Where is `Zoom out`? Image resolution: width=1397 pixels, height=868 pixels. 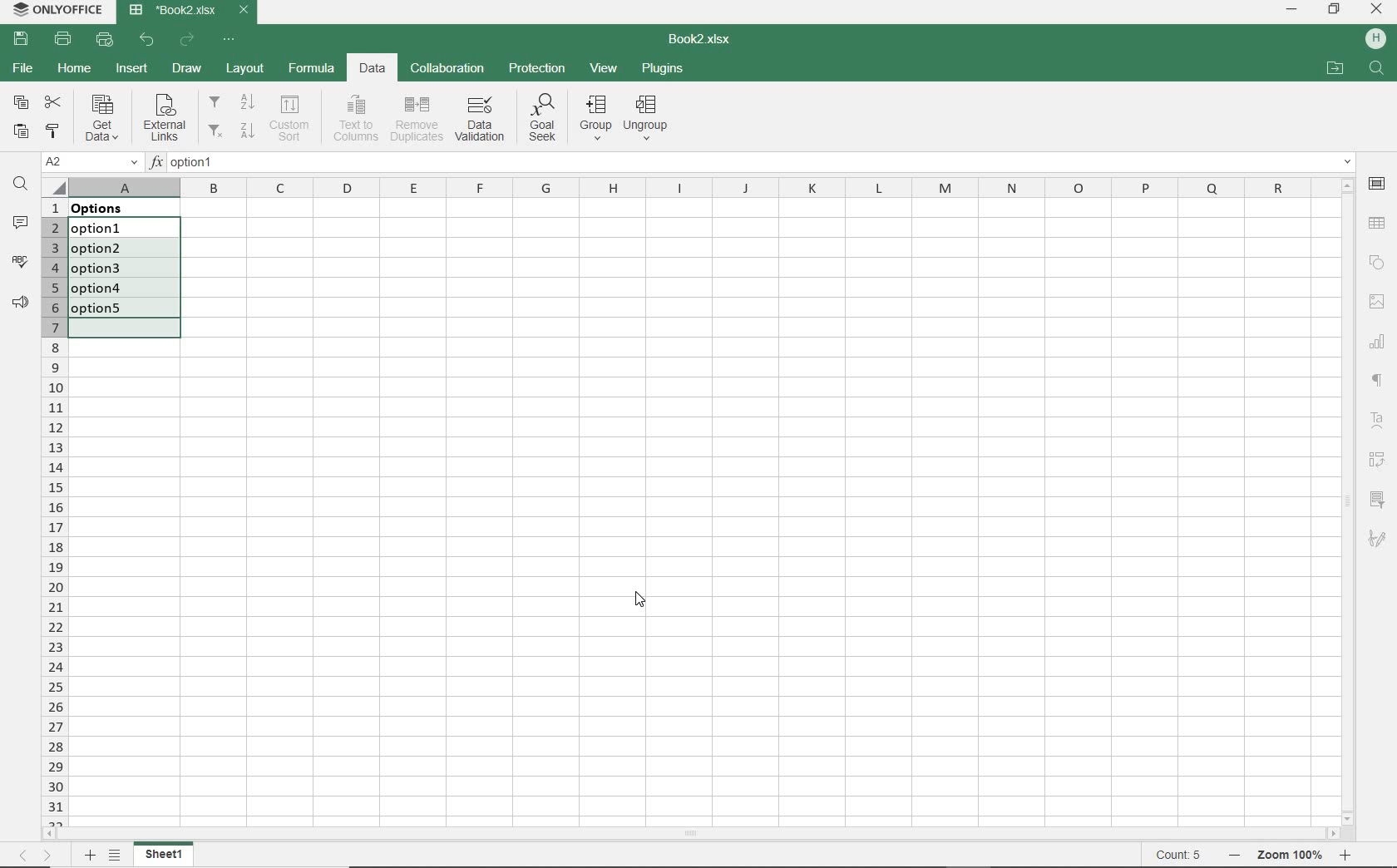 Zoom out is located at coordinates (1230, 856).